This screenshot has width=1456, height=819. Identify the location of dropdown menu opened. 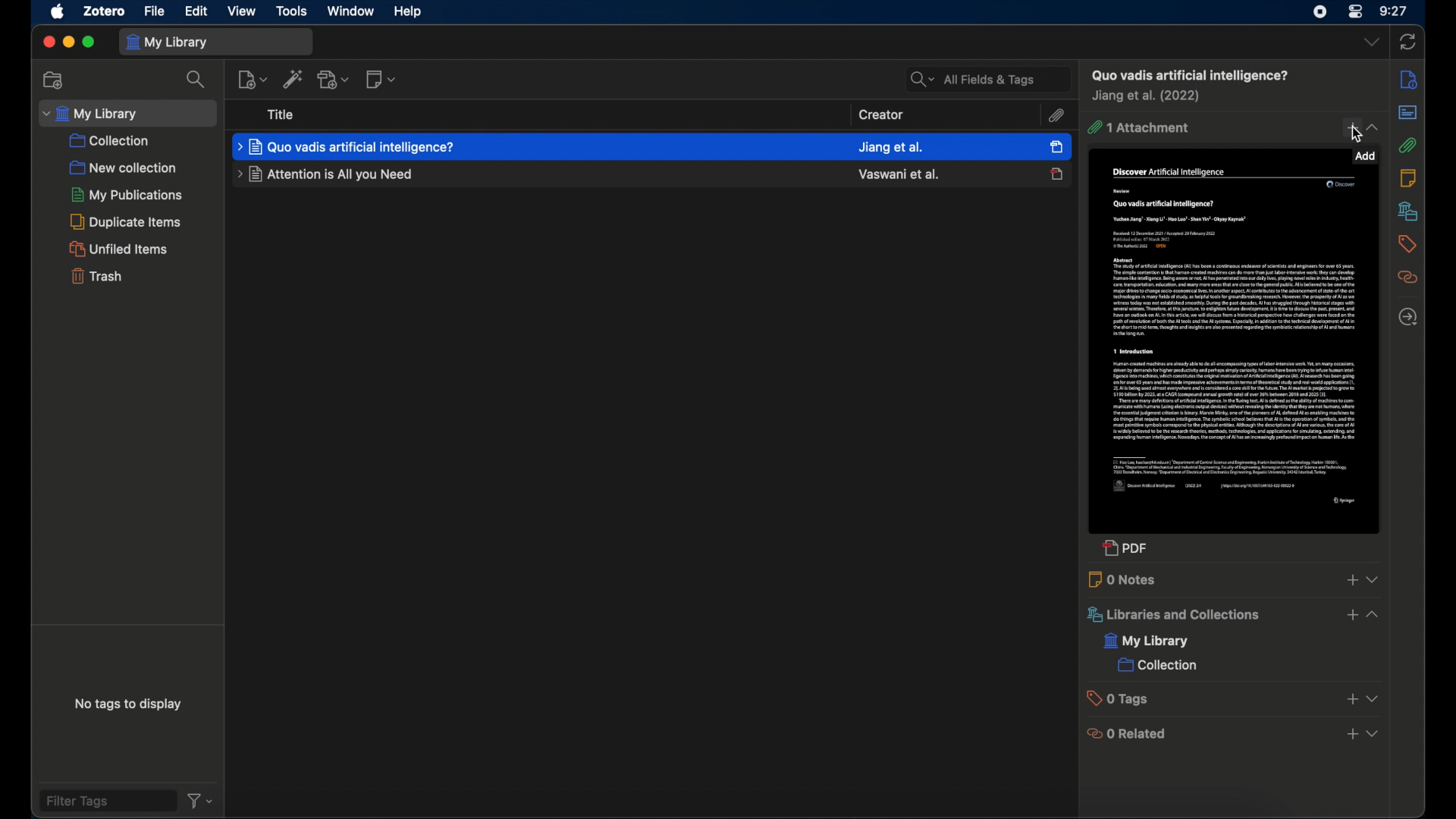
(1376, 614).